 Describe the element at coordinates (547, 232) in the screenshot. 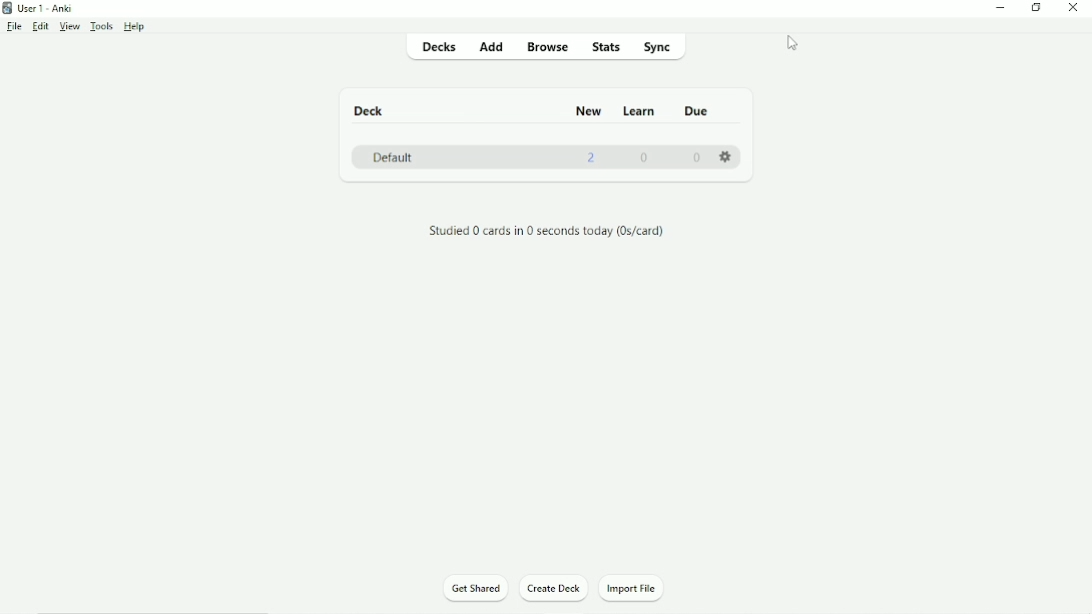

I see `Studied 0 cards in 0 seconds today.` at that location.